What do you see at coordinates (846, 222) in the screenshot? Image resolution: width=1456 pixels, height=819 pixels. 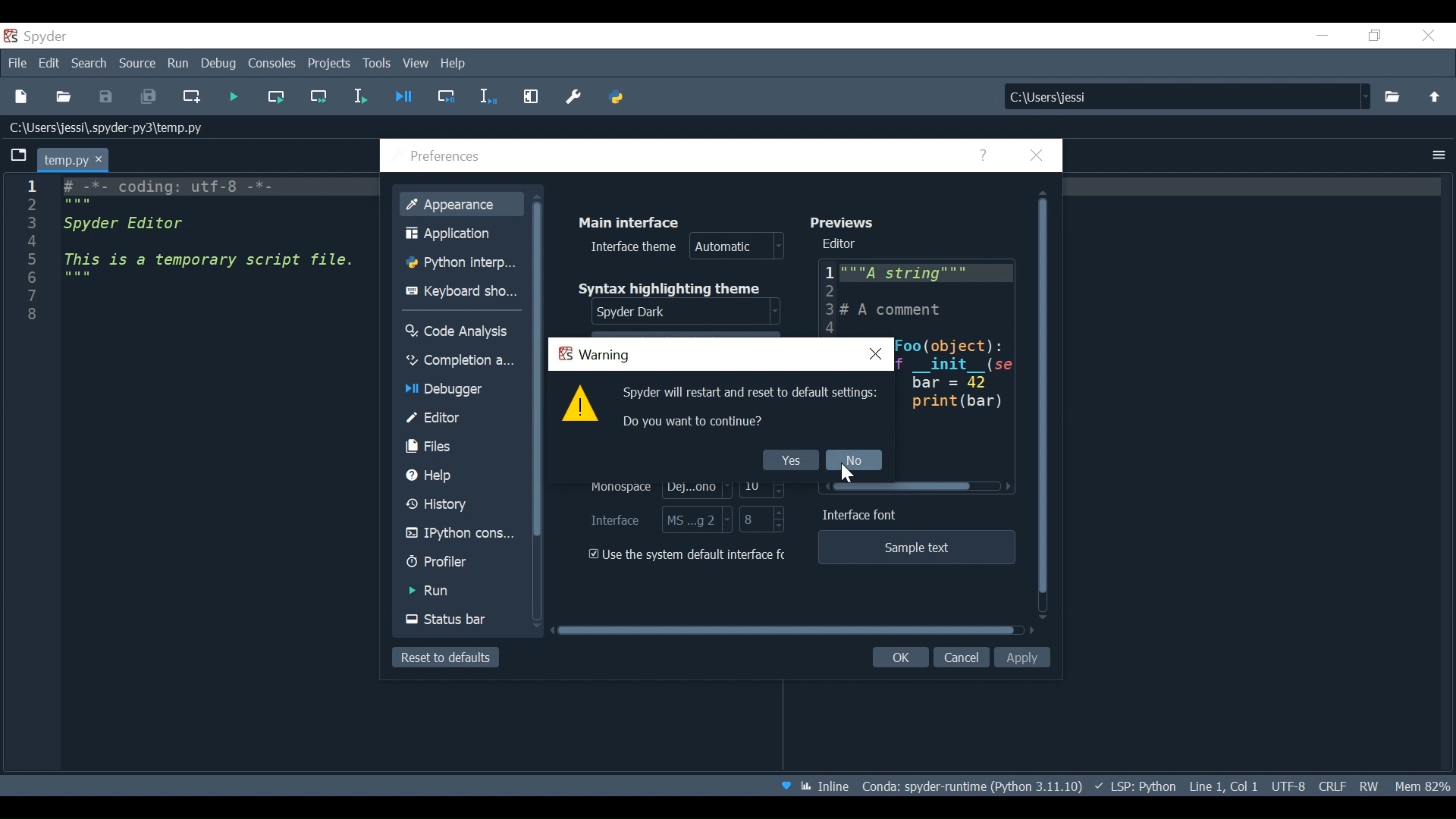 I see `Previews` at bounding box center [846, 222].